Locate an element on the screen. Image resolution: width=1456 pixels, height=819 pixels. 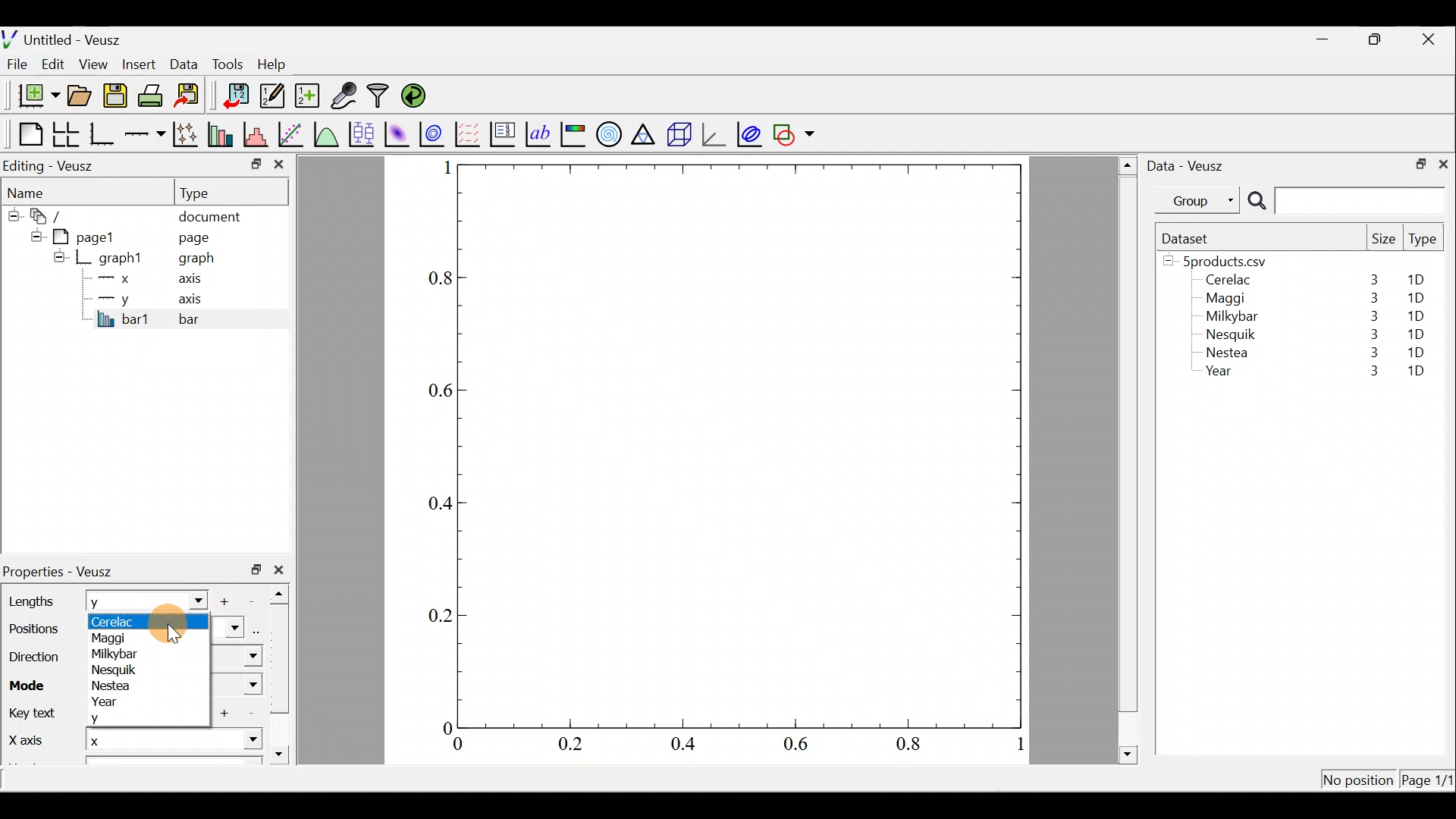
File is located at coordinates (14, 64).